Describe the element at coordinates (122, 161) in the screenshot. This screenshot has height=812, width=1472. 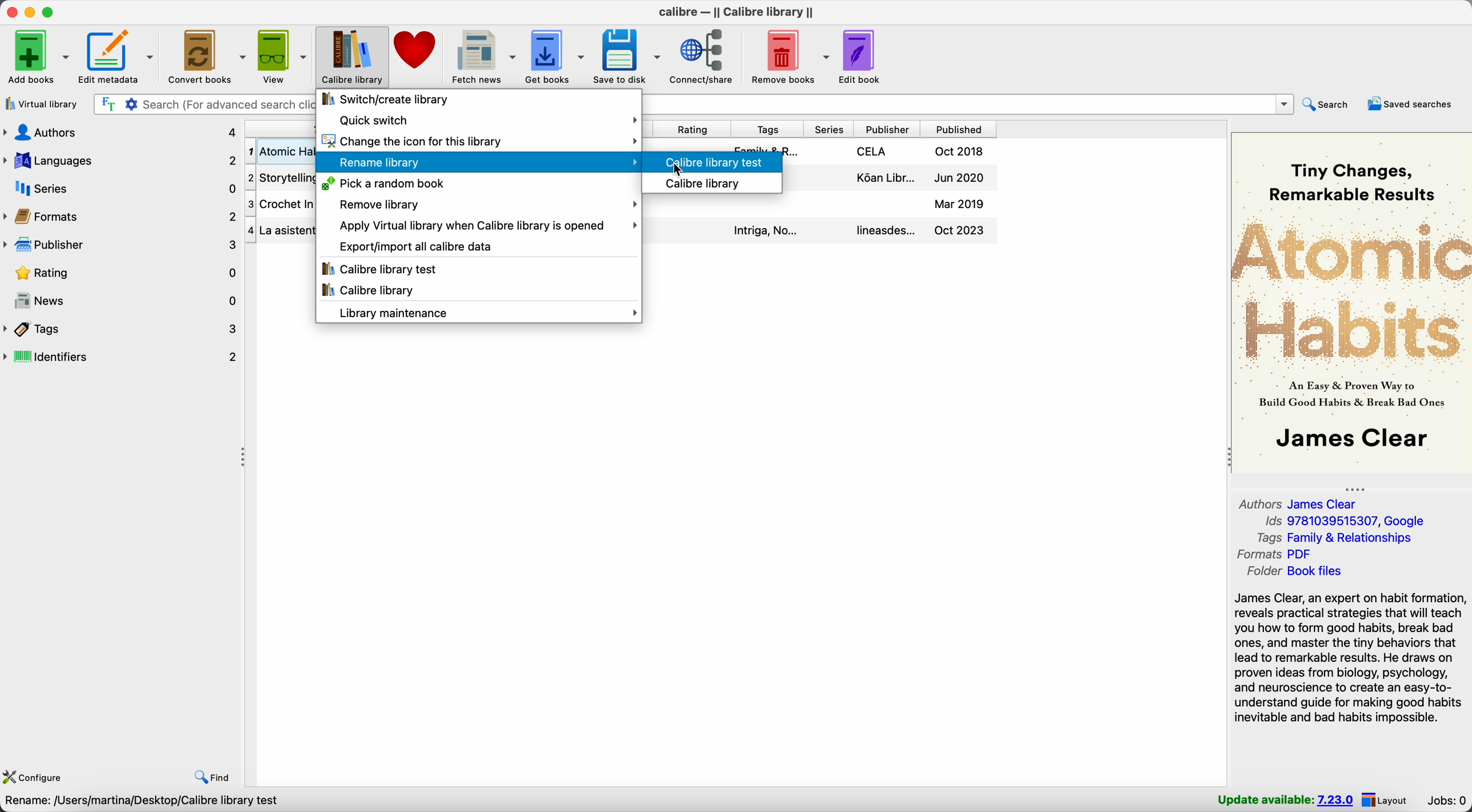
I see `languages` at that location.